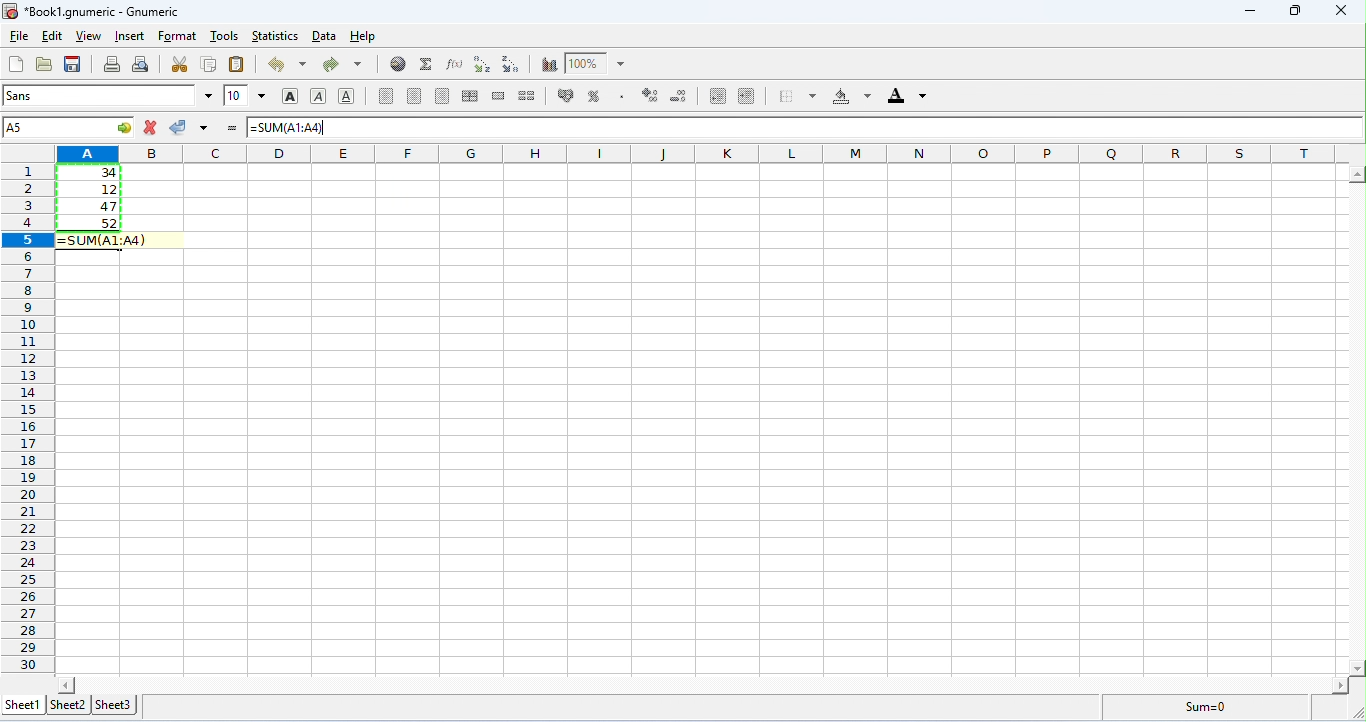 The height and width of the screenshot is (722, 1366). I want to click on file, so click(18, 37).